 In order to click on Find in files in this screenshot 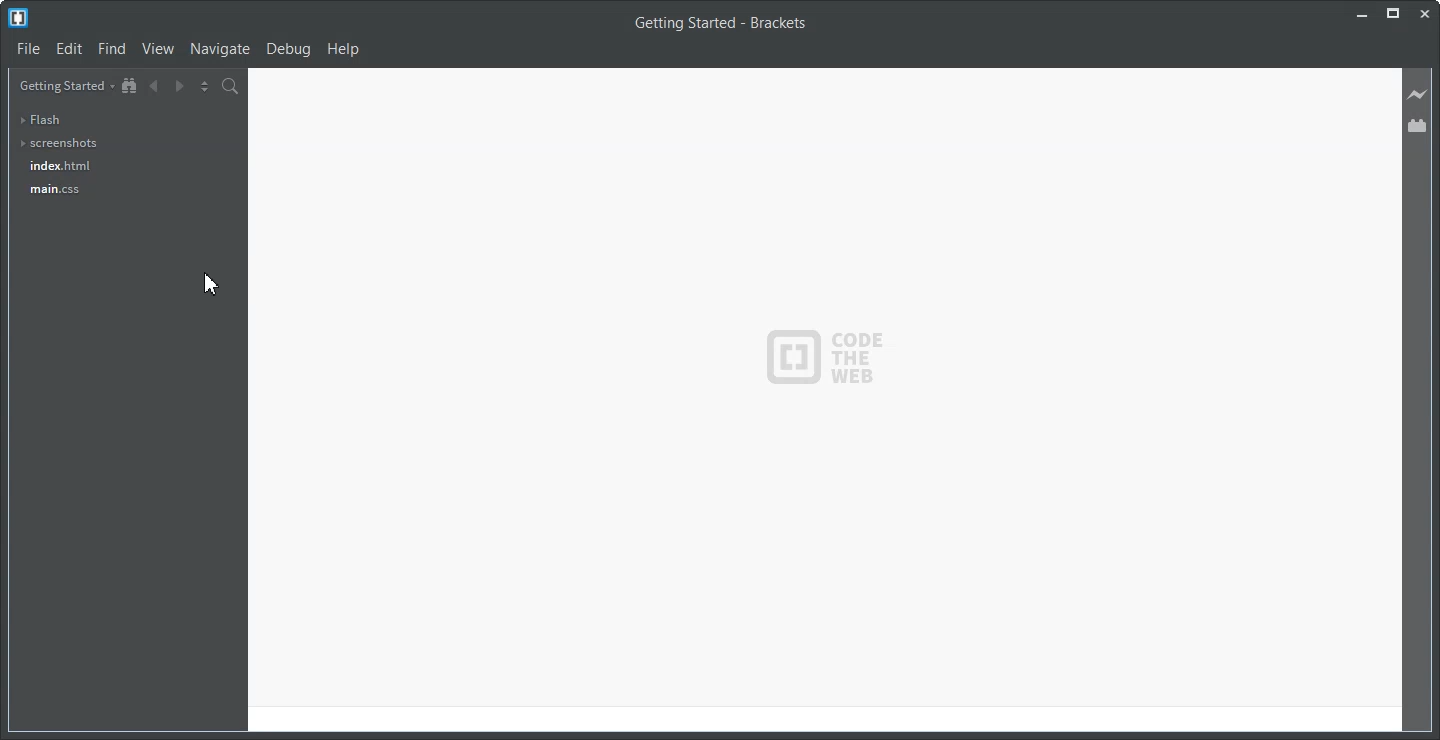, I will do `click(231, 86)`.